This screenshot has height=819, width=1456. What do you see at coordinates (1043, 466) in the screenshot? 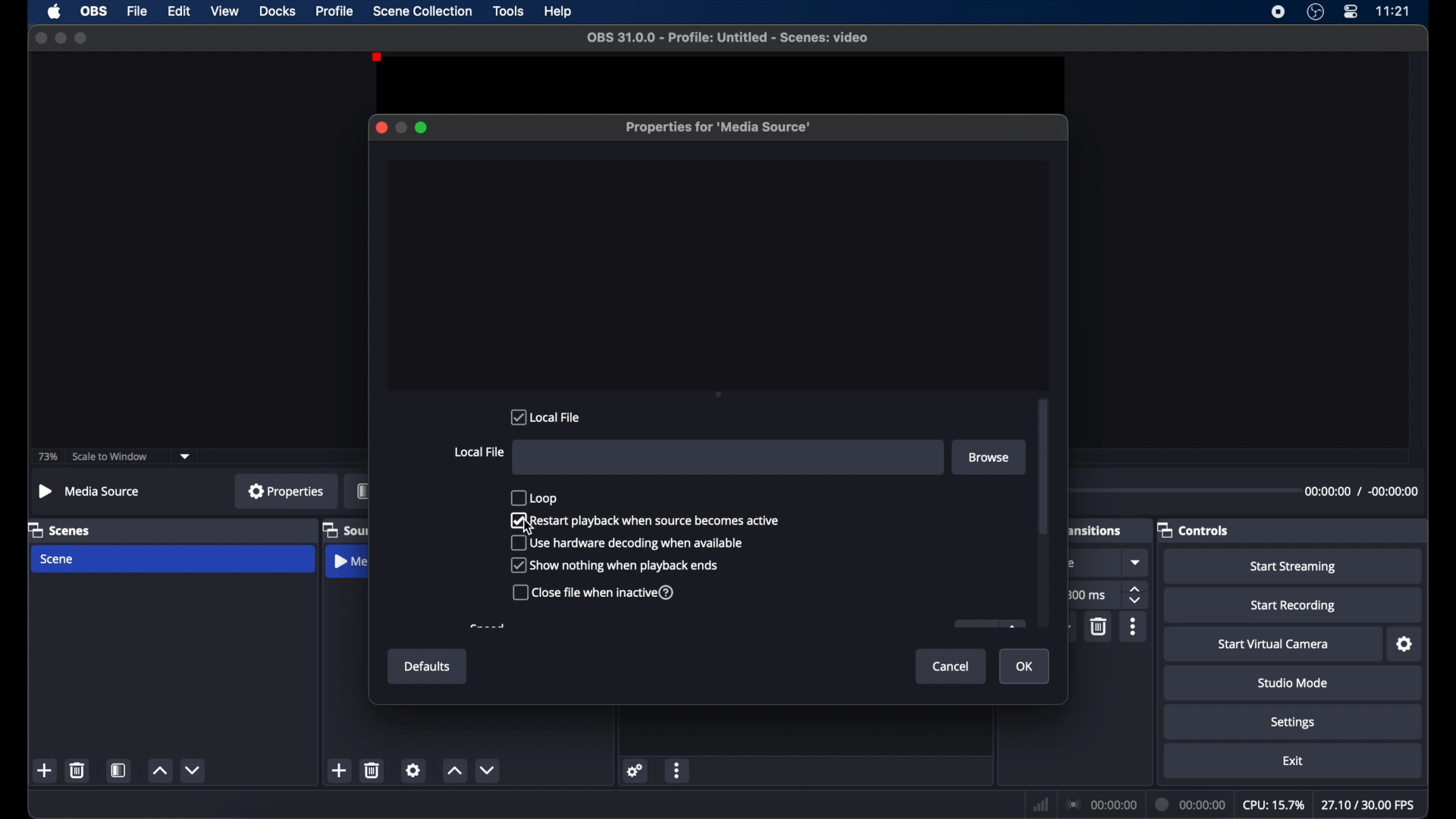
I see `scroll box` at bounding box center [1043, 466].